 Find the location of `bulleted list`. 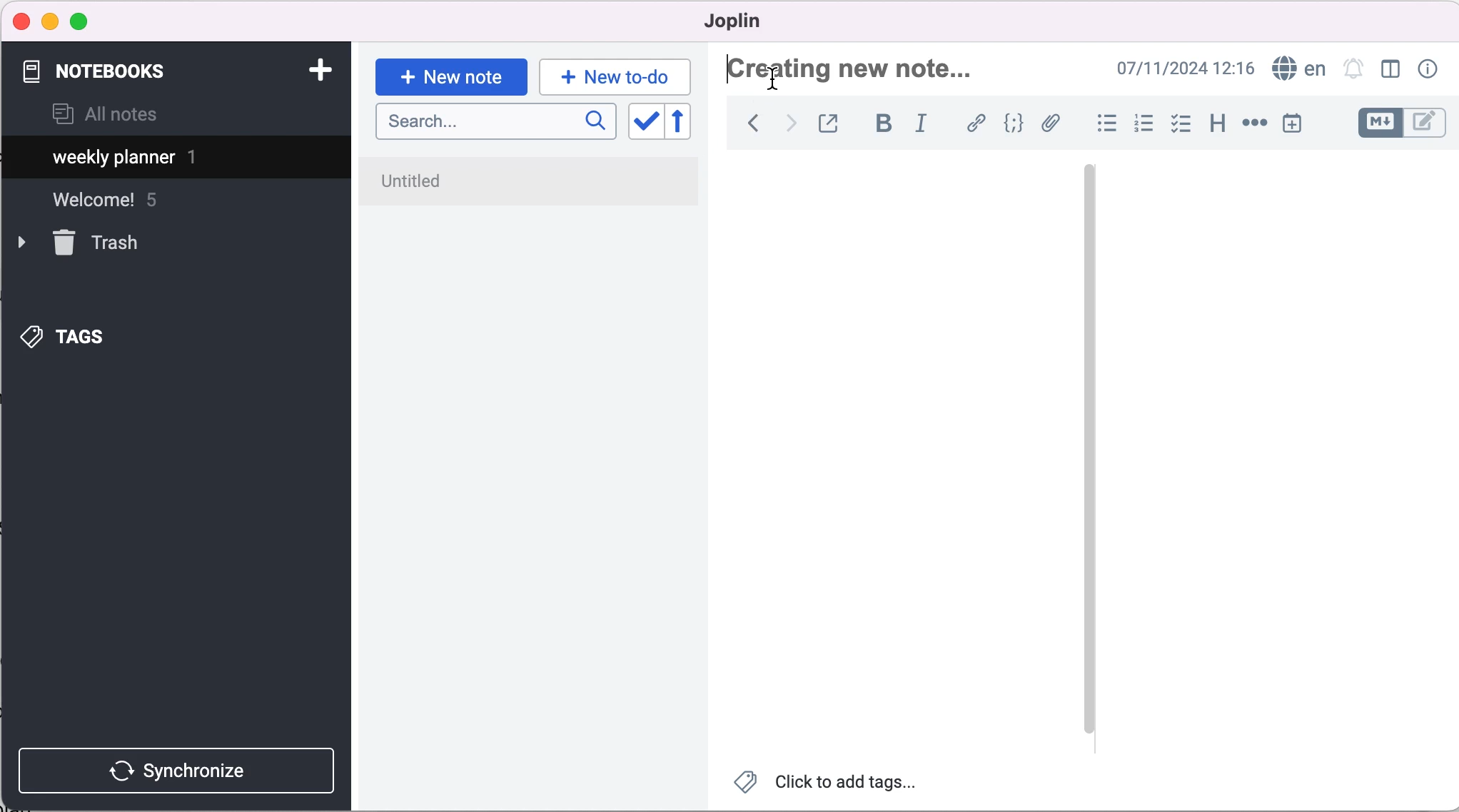

bulleted list is located at coordinates (1104, 124).